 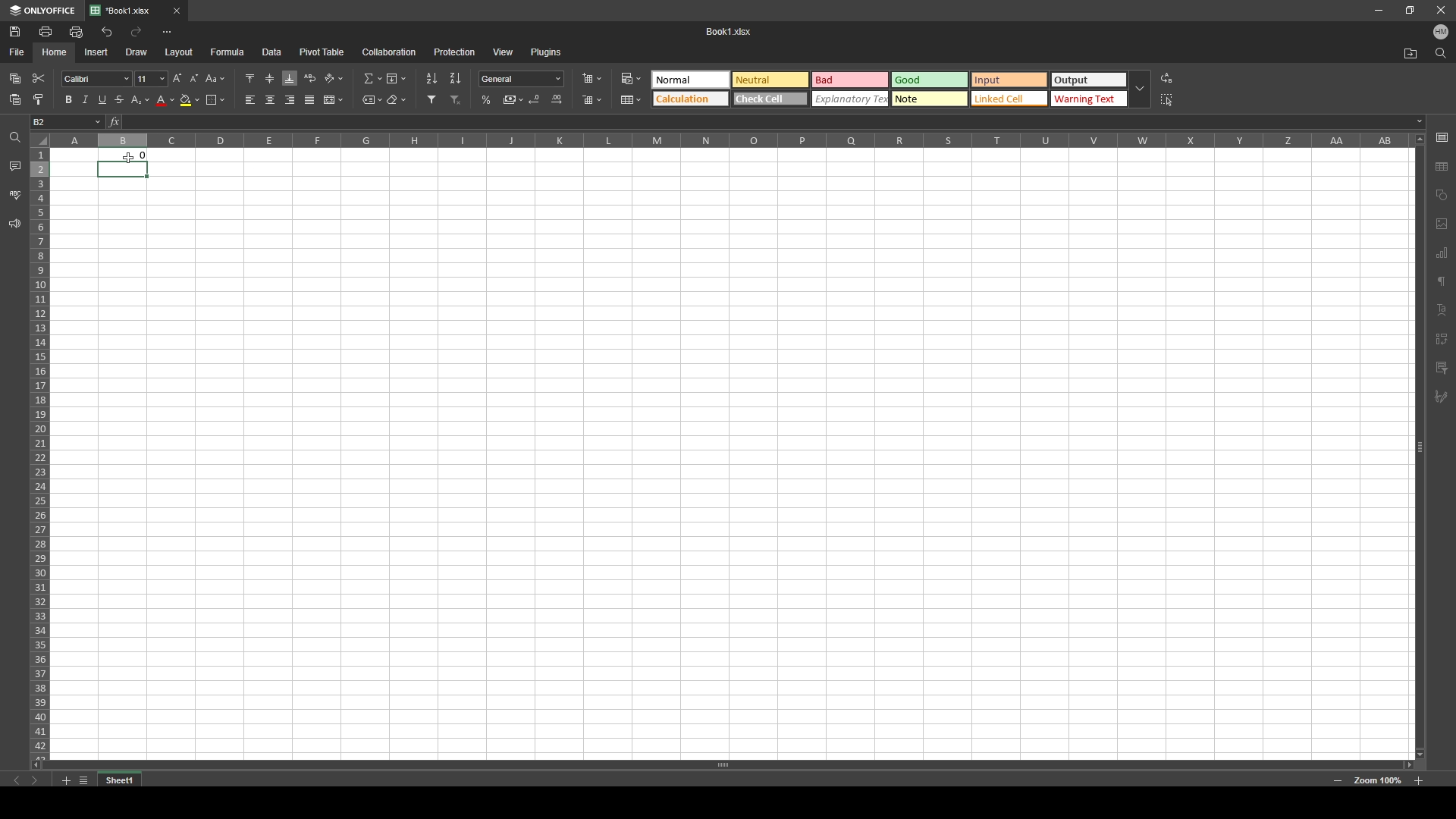 I want to click on search, so click(x=1440, y=53).